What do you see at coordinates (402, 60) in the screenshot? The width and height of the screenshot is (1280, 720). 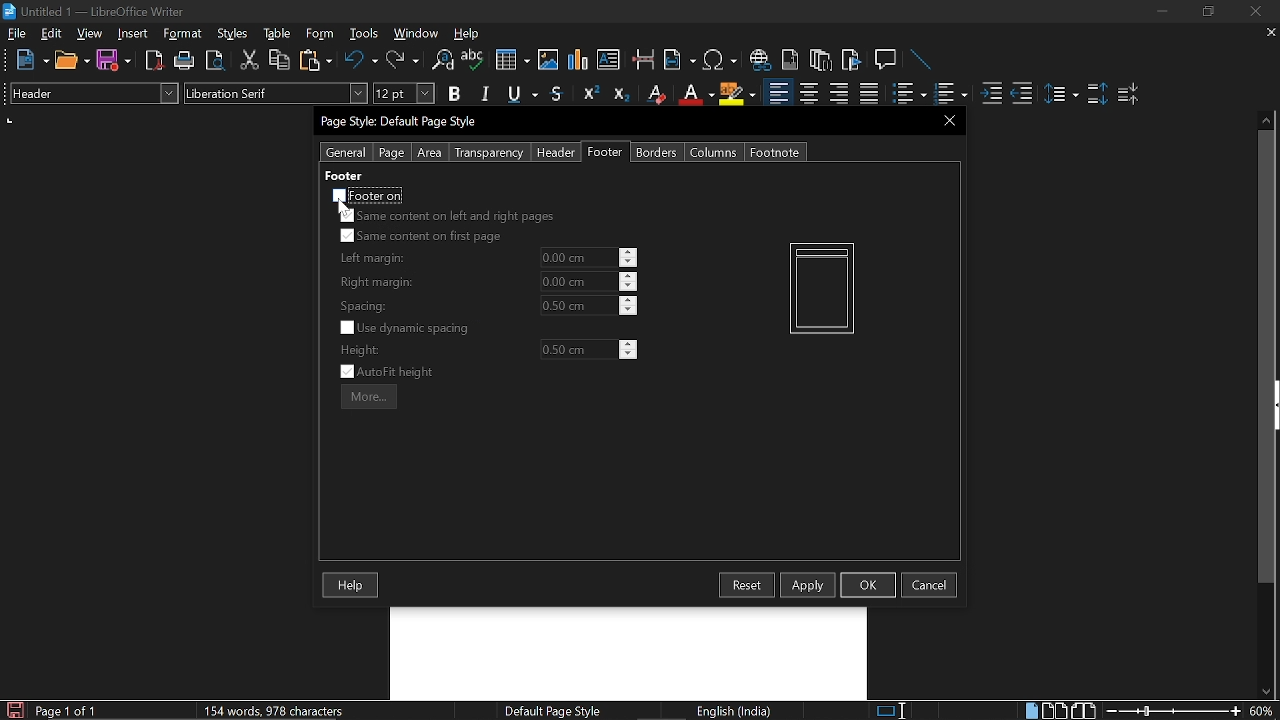 I see `Redo` at bounding box center [402, 60].